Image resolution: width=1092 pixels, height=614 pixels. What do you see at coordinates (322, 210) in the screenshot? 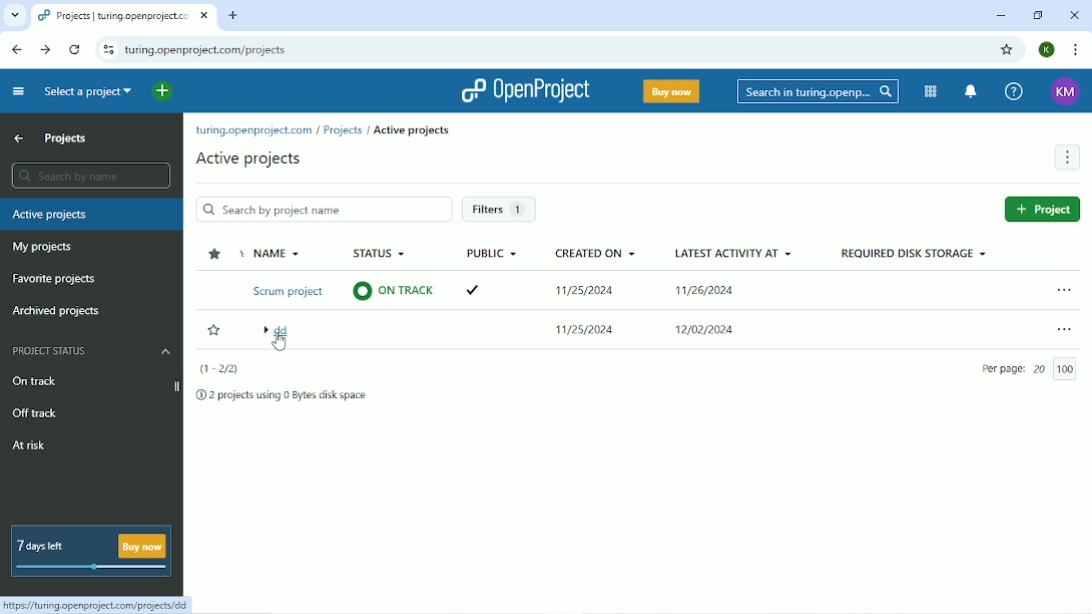
I see `Search by project name` at bounding box center [322, 210].